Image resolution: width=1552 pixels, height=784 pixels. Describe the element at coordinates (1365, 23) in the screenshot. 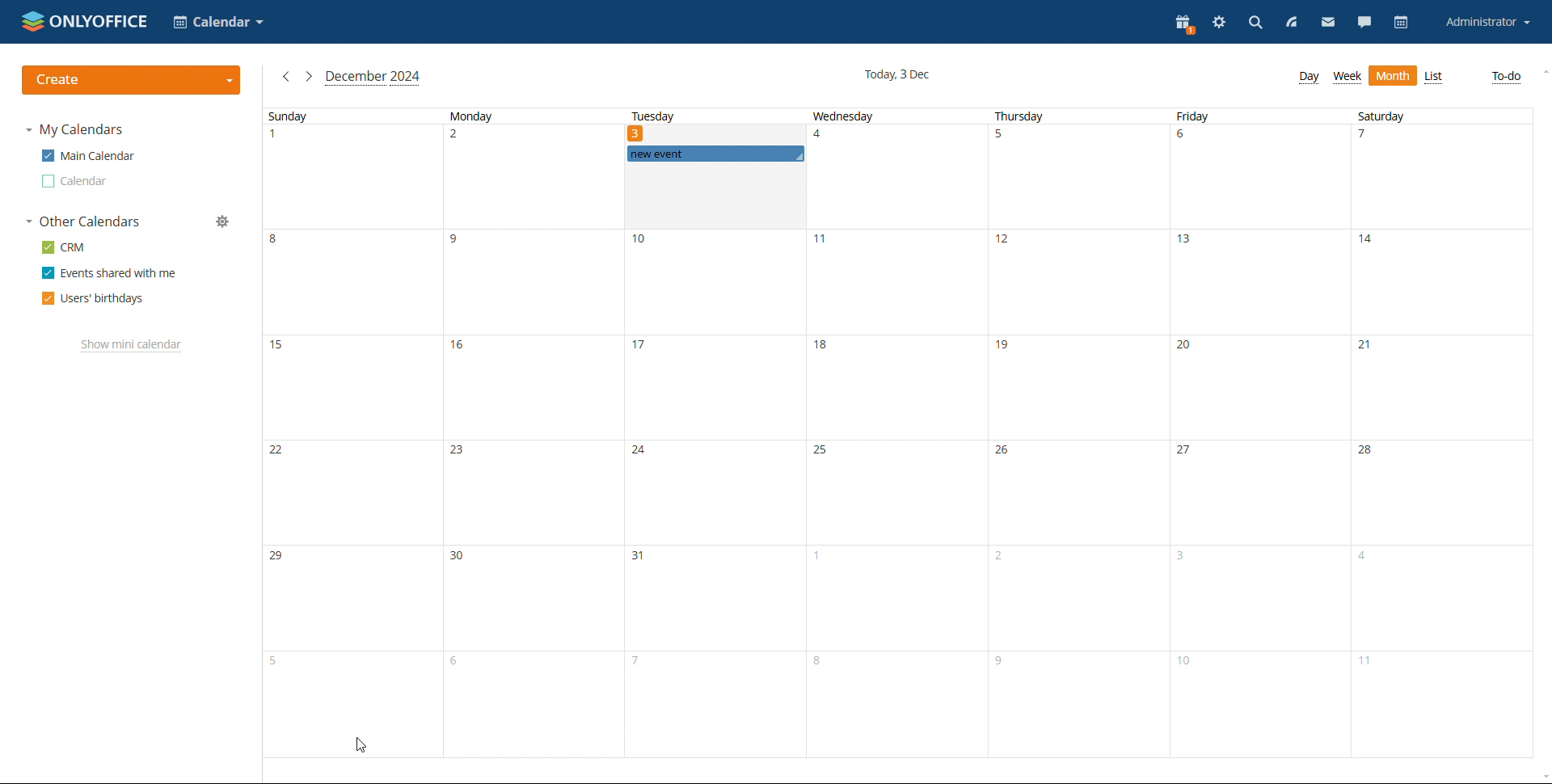

I see `chat` at that location.